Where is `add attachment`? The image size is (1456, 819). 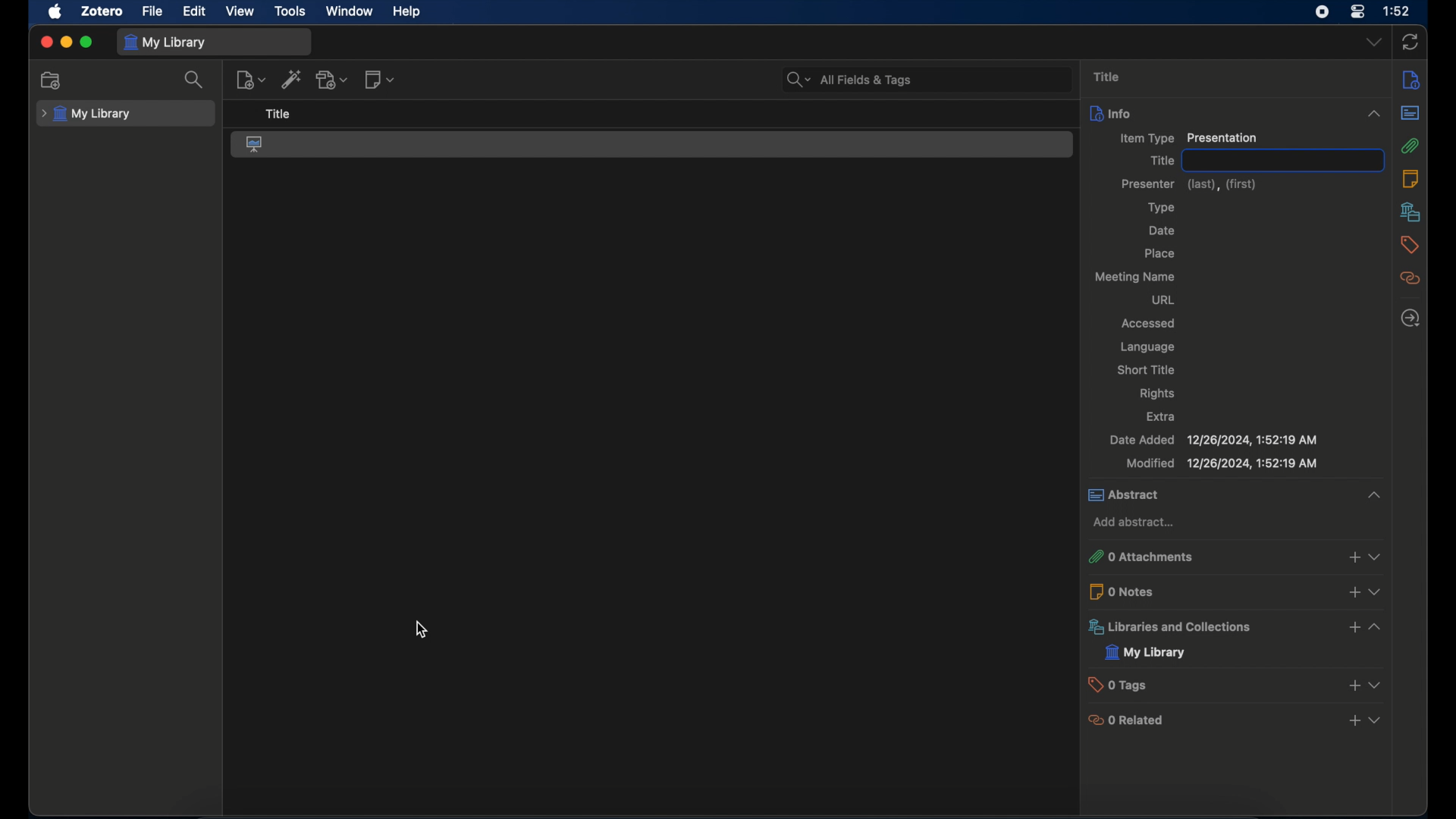
add attachment is located at coordinates (333, 79).